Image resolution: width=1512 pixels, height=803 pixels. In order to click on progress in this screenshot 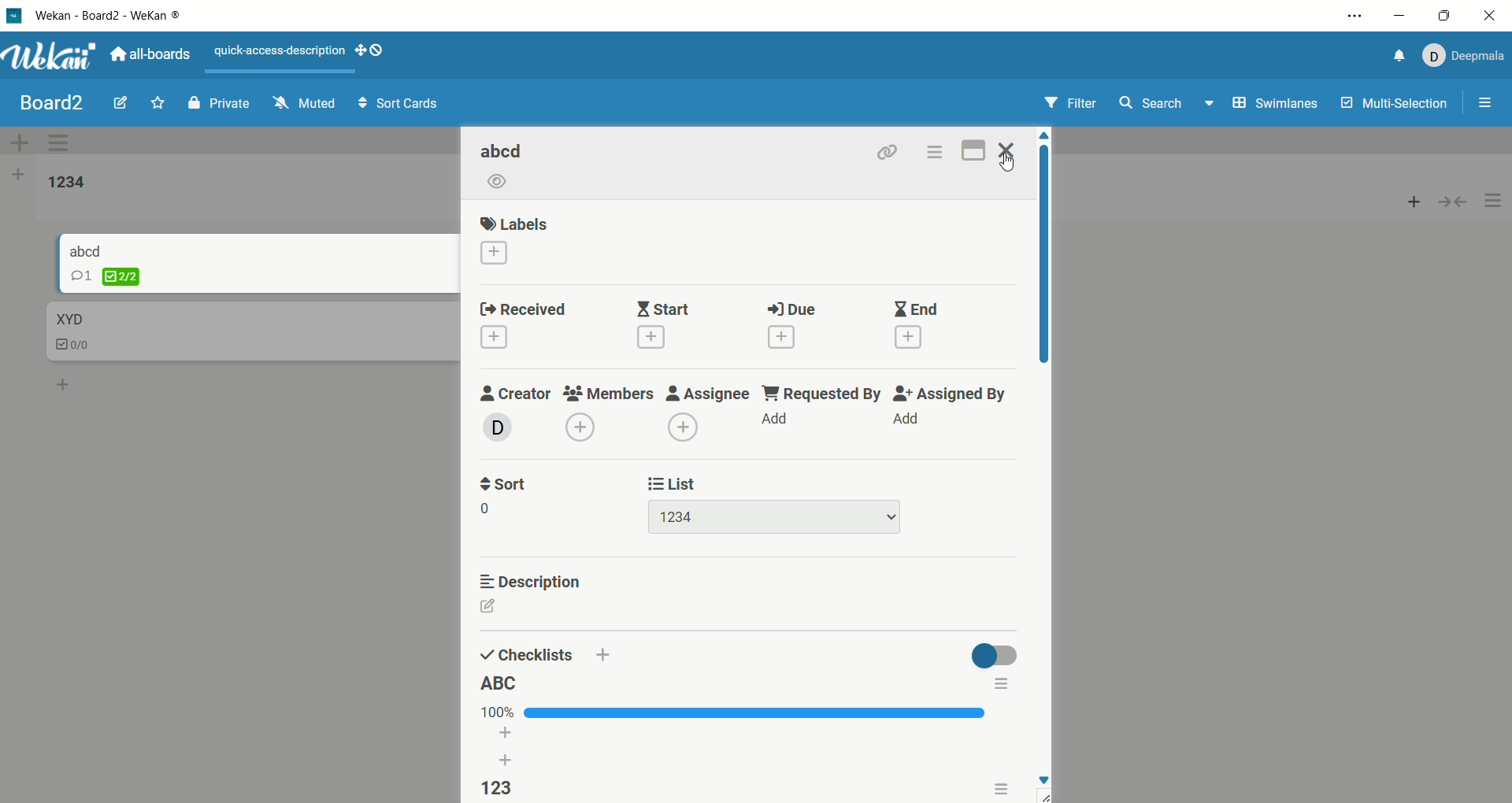, I will do `click(739, 705)`.